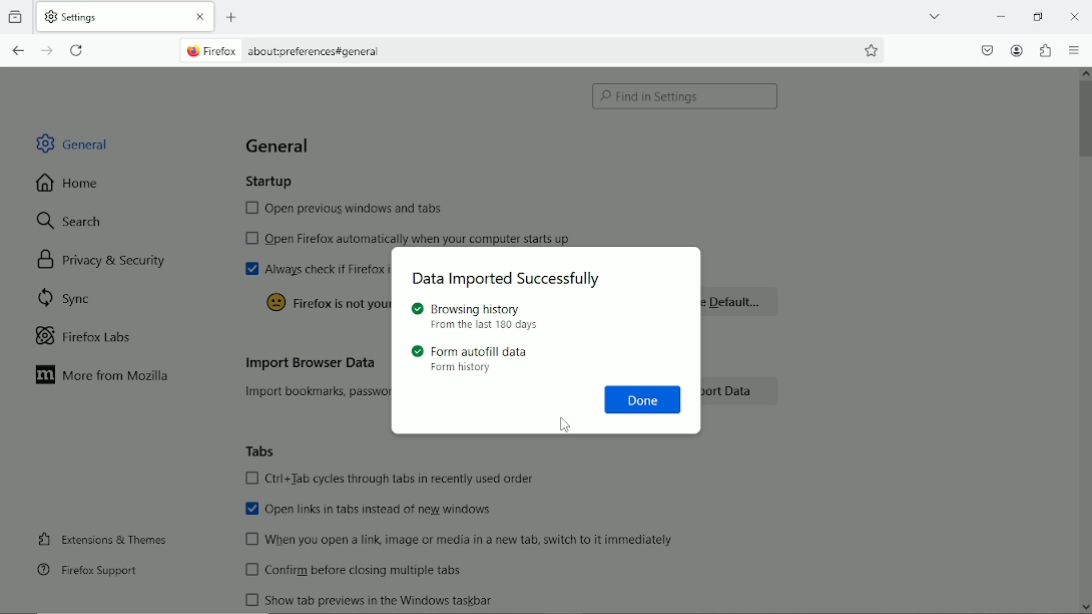 The width and height of the screenshot is (1092, 614). Describe the element at coordinates (336, 210) in the screenshot. I see `Open previous windows and tabs` at that location.